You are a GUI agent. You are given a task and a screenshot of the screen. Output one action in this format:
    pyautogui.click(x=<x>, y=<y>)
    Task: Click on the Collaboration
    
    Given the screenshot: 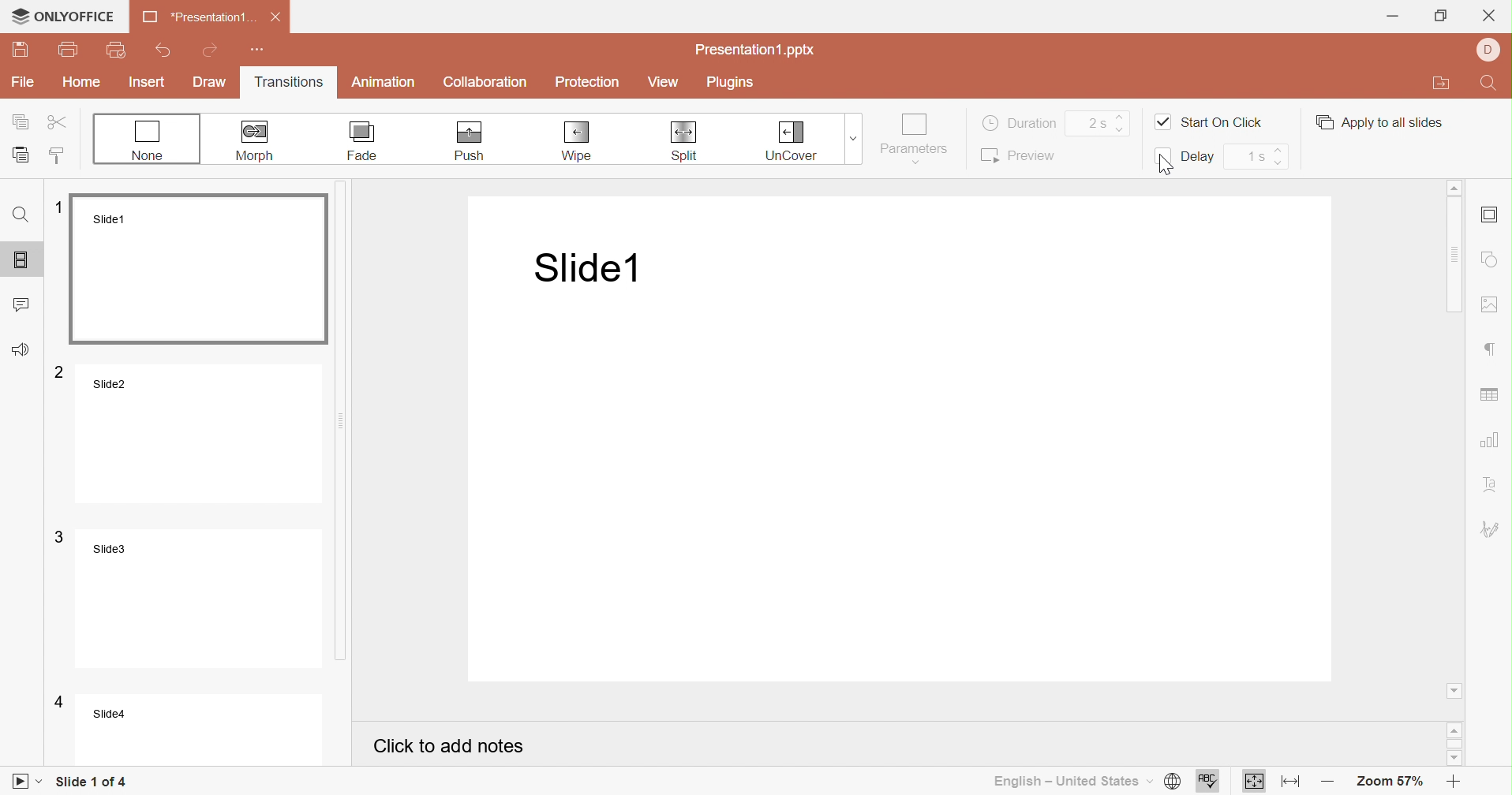 What is the action you would take?
    pyautogui.click(x=488, y=82)
    